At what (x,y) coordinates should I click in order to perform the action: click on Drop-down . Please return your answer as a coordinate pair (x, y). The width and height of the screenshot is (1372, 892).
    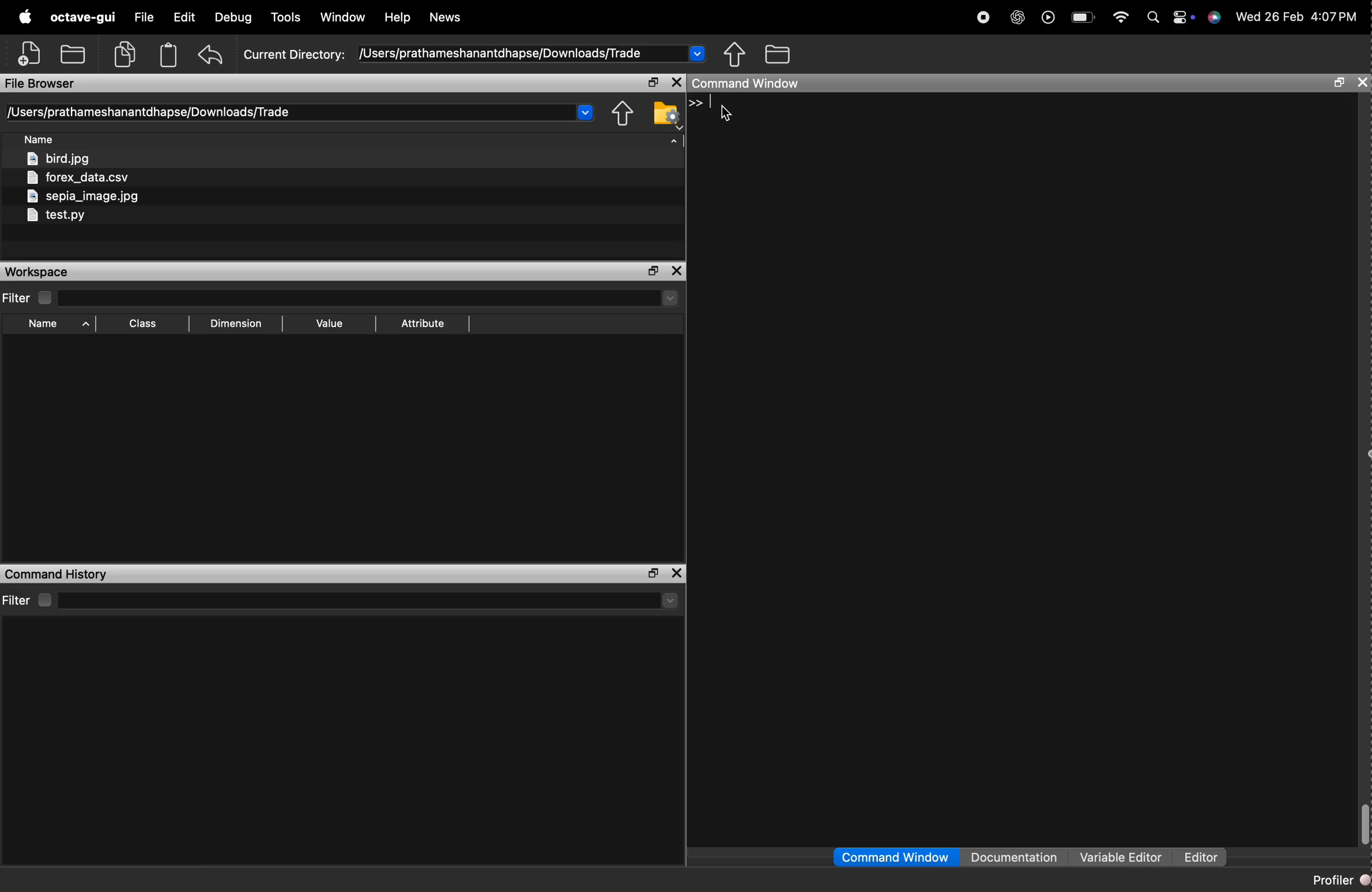
    Looking at the image, I should click on (670, 298).